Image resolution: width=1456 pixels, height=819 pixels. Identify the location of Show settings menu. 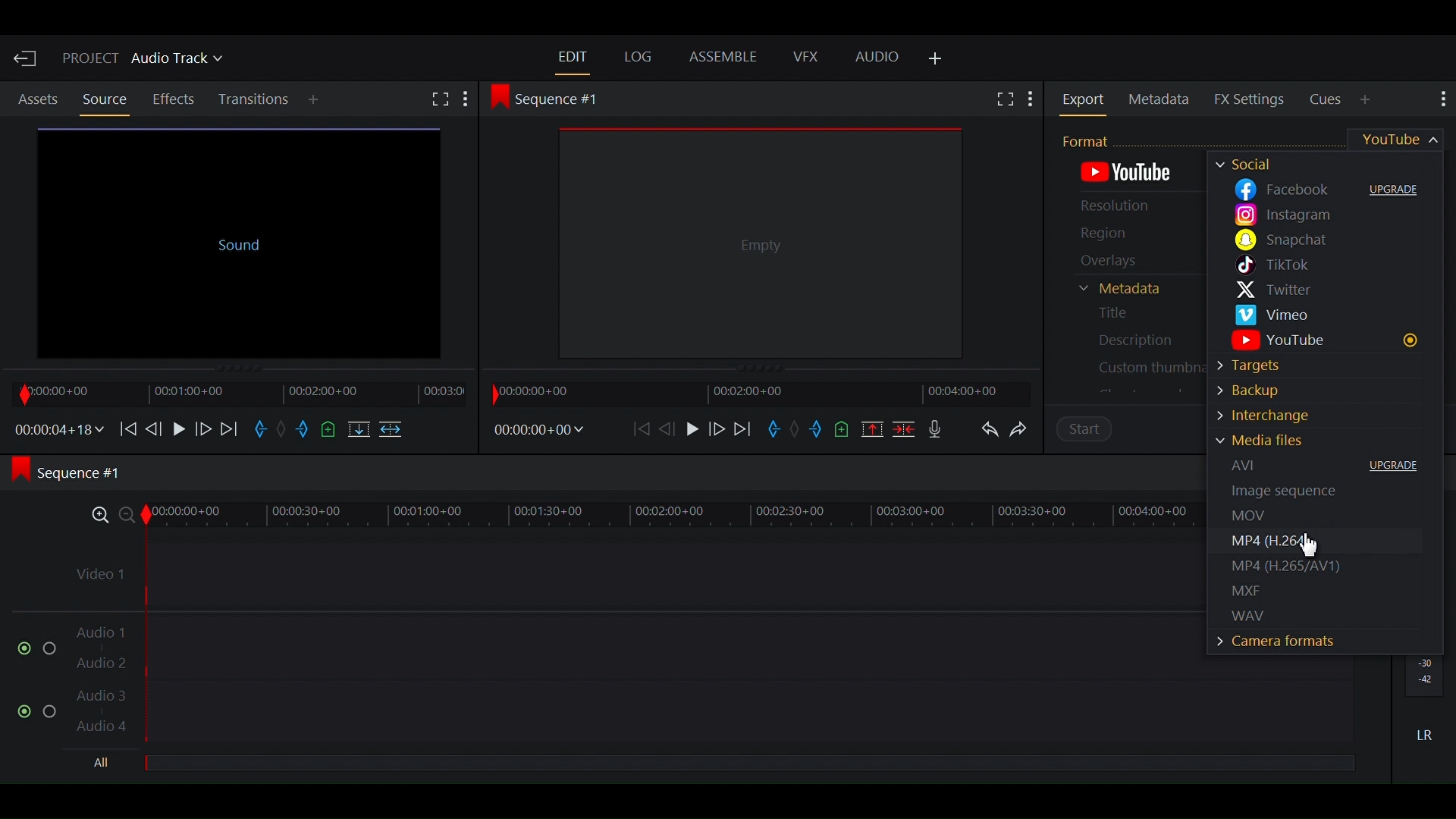
(1440, 99).